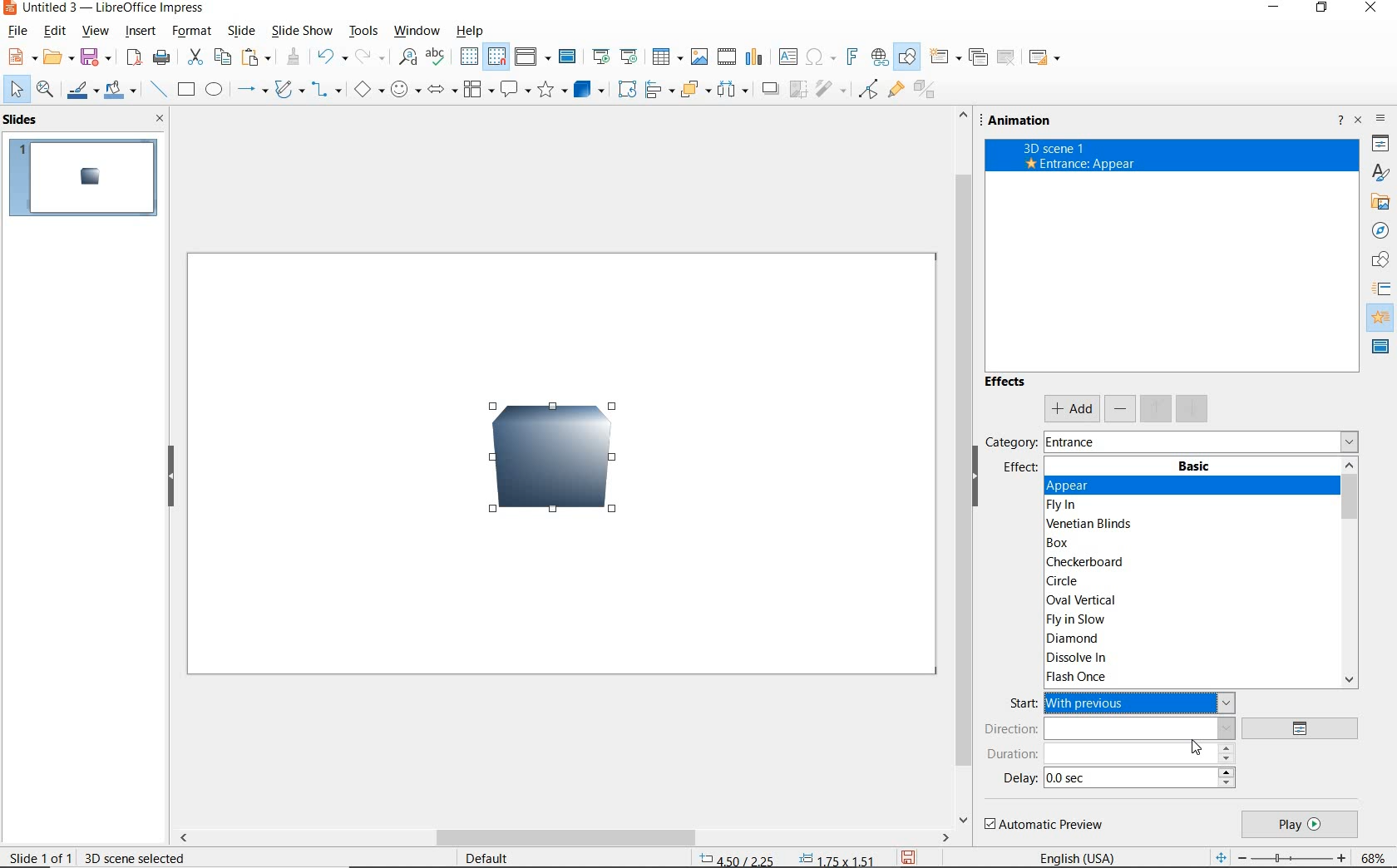 This screenshot has height=868, width=1397. I want to click on insert special characters, so click(818, 57).